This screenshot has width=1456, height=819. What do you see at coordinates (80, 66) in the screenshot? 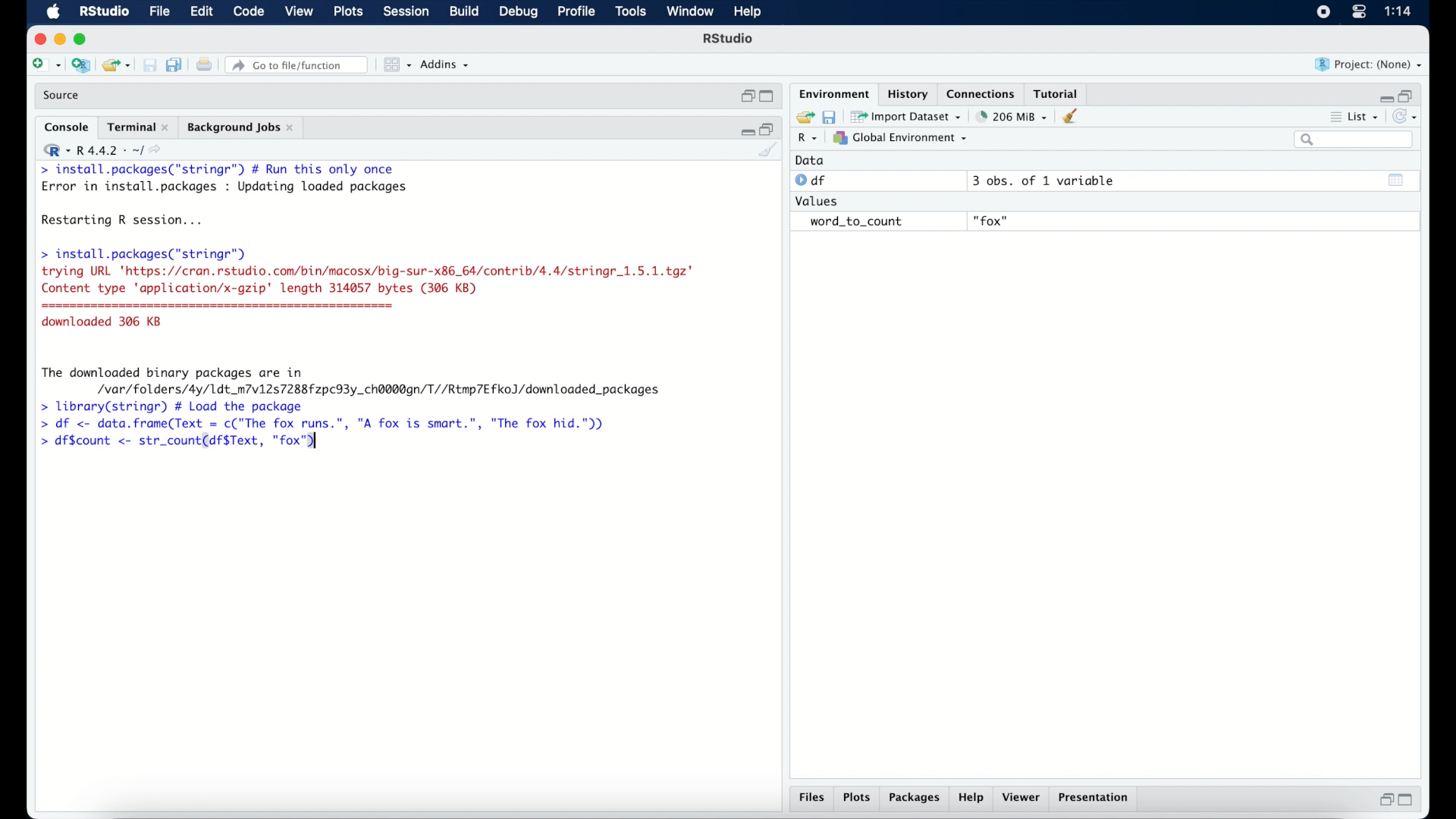
I see `create new project` at bounding box center [80, 66].